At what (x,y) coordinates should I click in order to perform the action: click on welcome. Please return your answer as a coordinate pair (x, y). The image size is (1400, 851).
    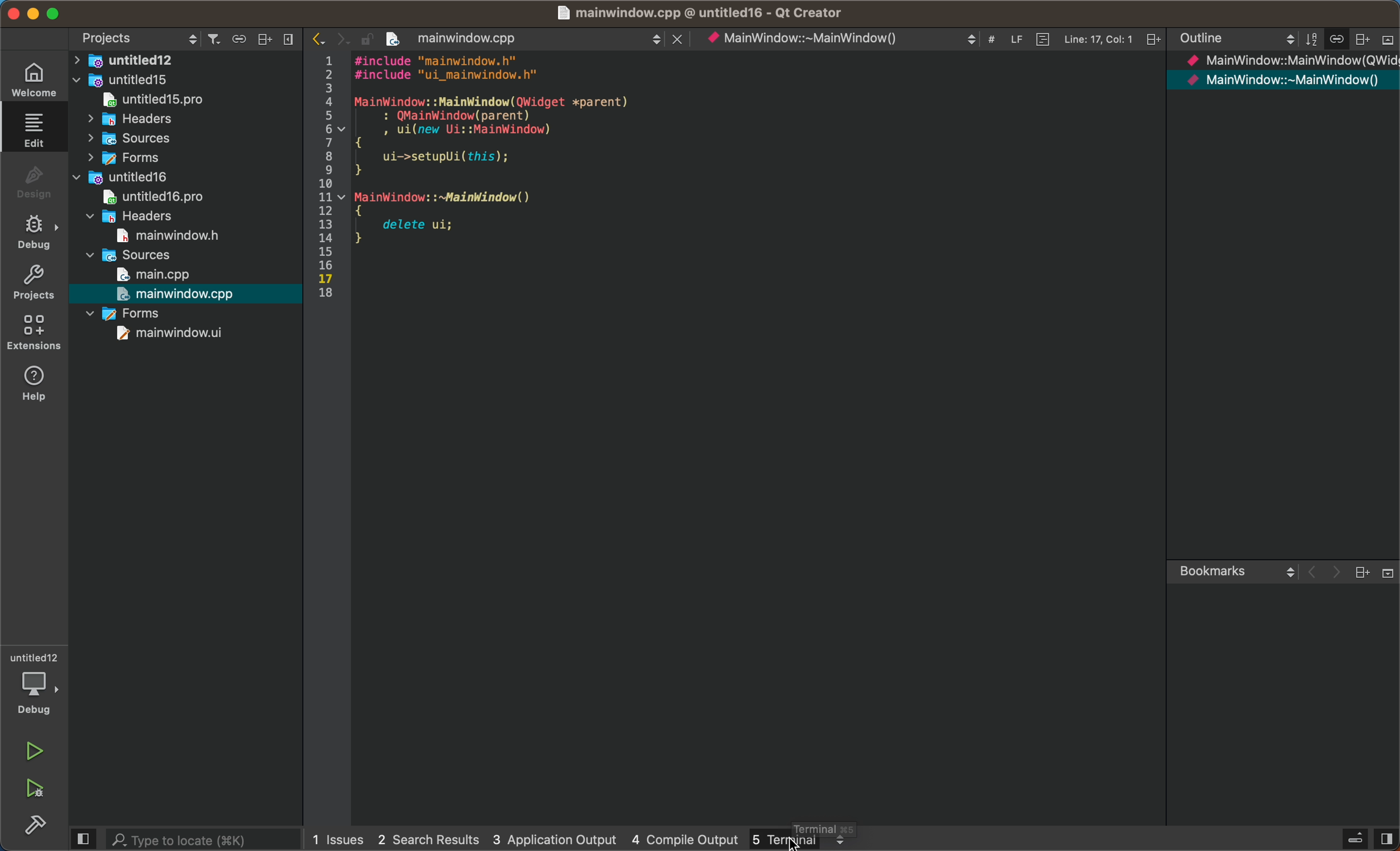
    Looking at the image, I should click on (37, 79).